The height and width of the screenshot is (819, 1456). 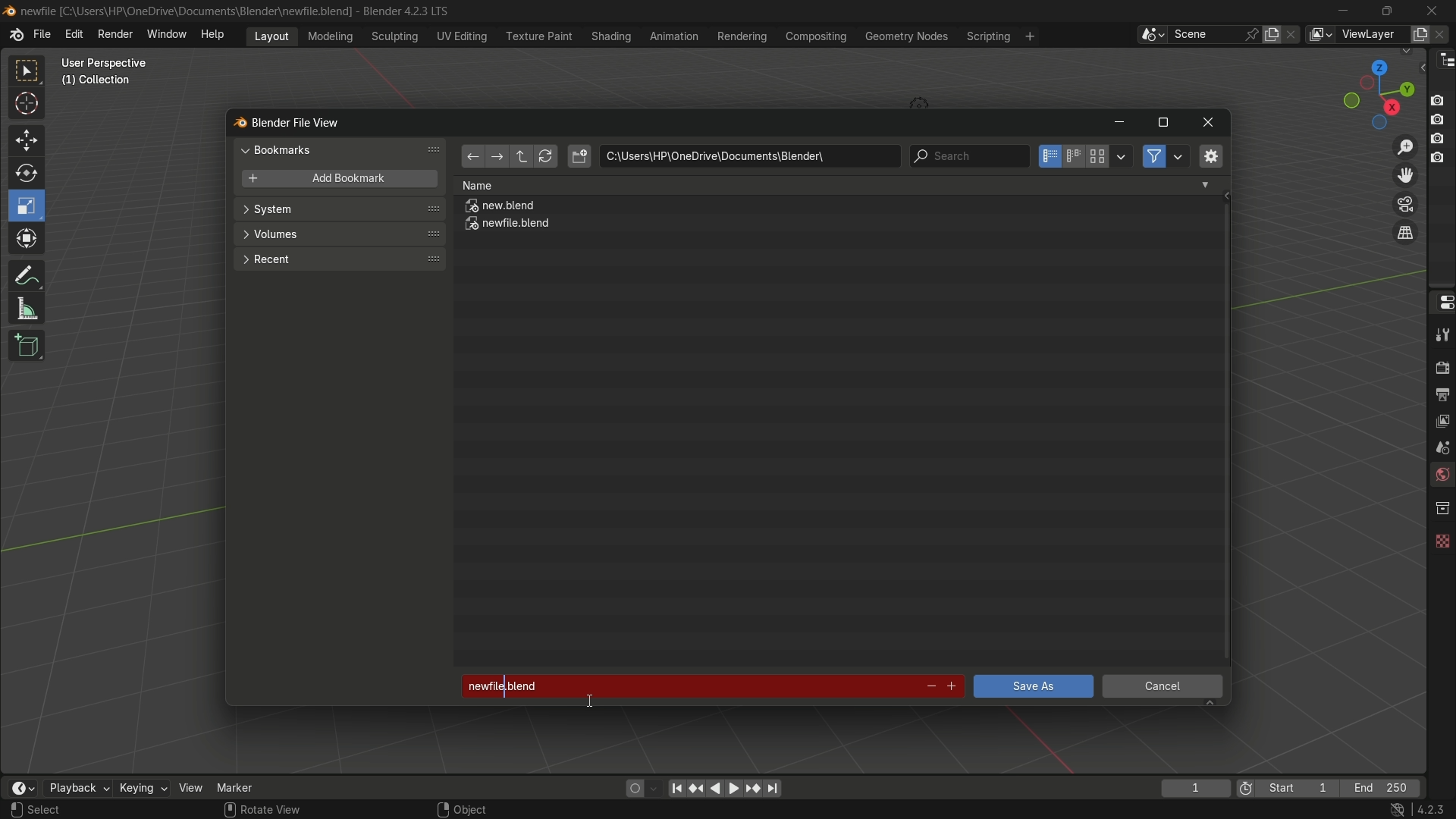 What do you see at coordinates (28, 240) in the screenshot?
I see `transform` at bounding box center [28, 240].